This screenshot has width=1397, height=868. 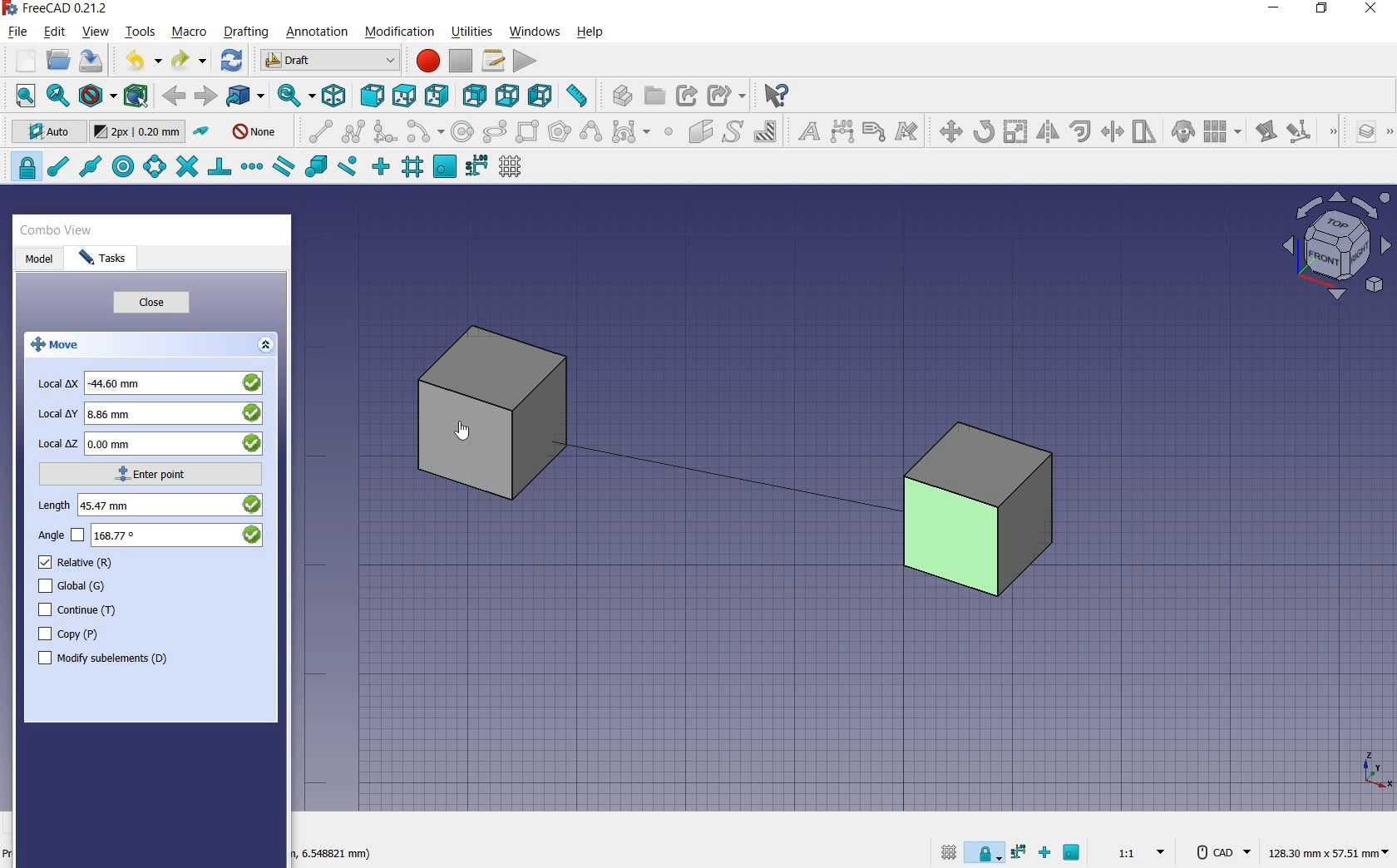 What do you see at coordinates (1335, 133) in the screenshot?
I see `draft modification tools` at bounding box center [1335, 133].